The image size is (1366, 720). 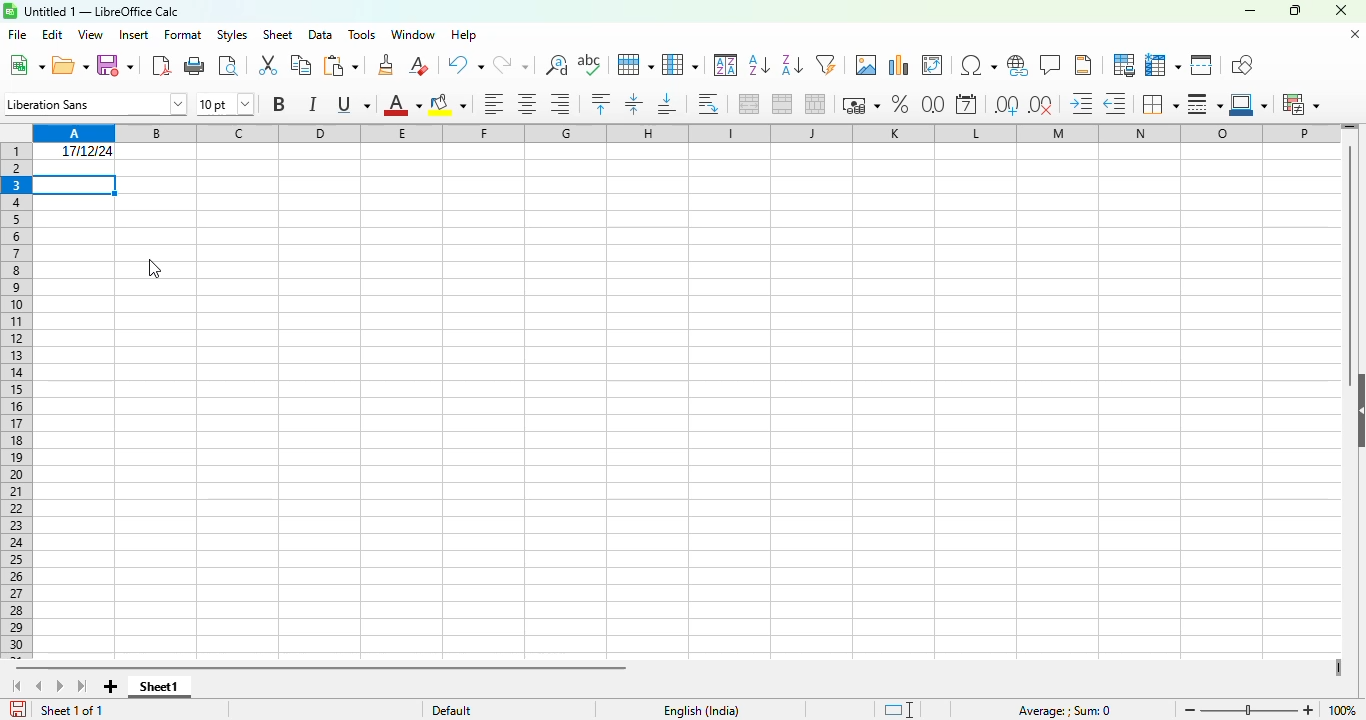 What do you see at coordinates (1041, 105) in the screenshot?
I see `delete decimal` at bounding box center [1041, 105].